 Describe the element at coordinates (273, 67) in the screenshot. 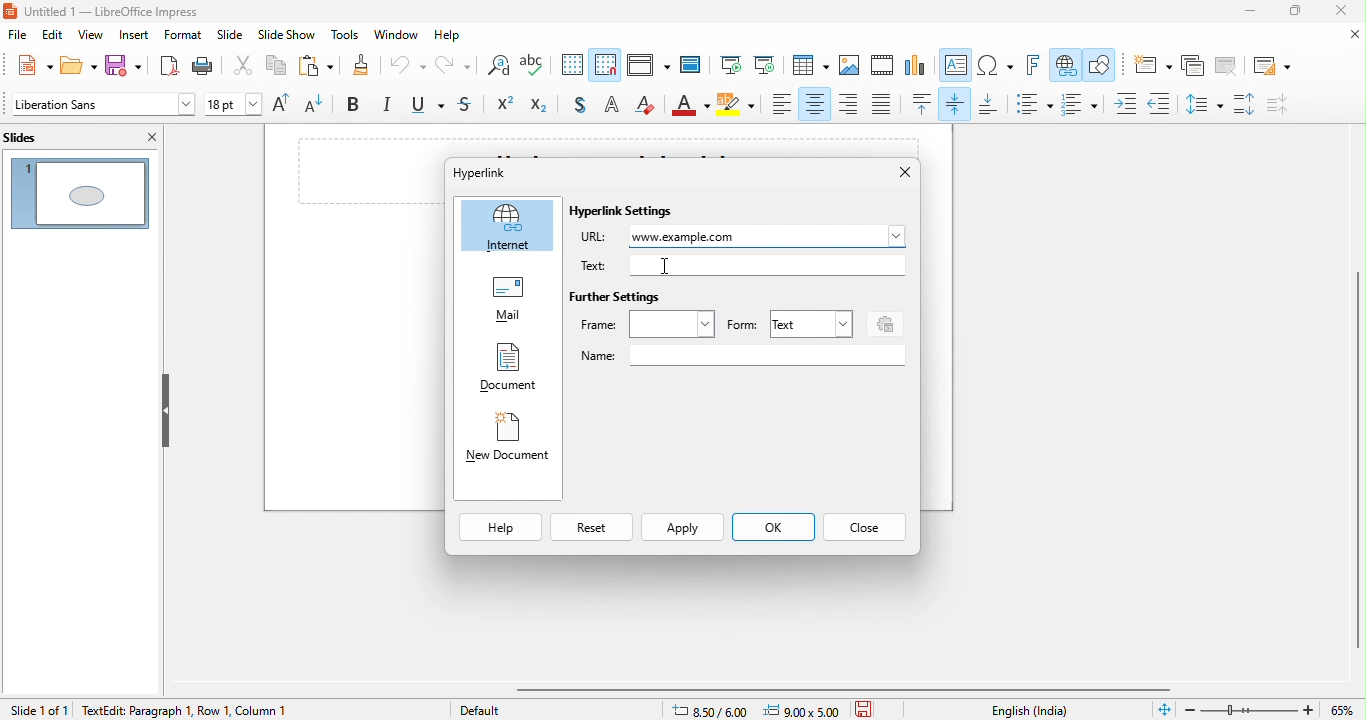

I see `copy` at that location.